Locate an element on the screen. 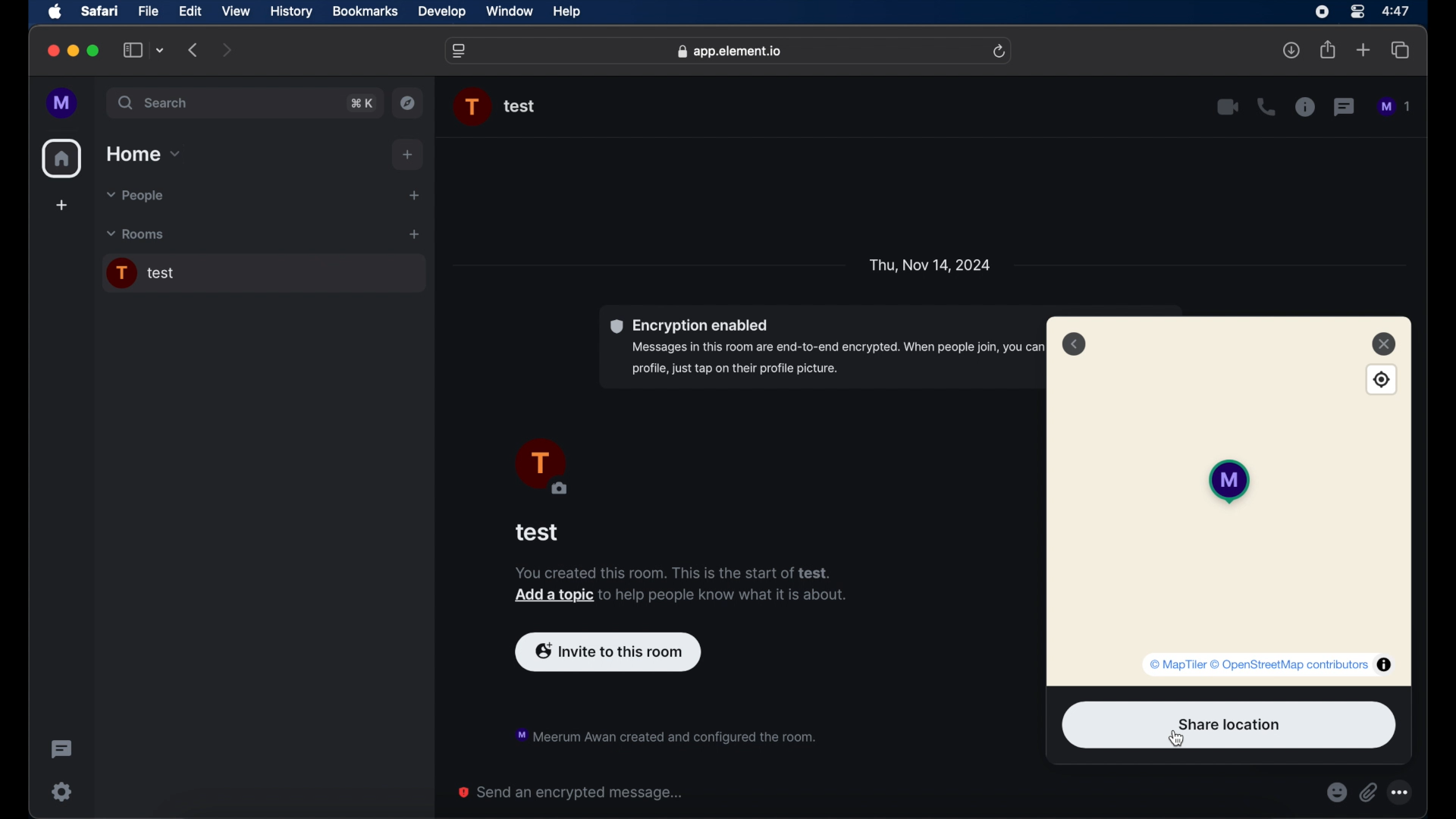  file is located at coordinates (149, 11).